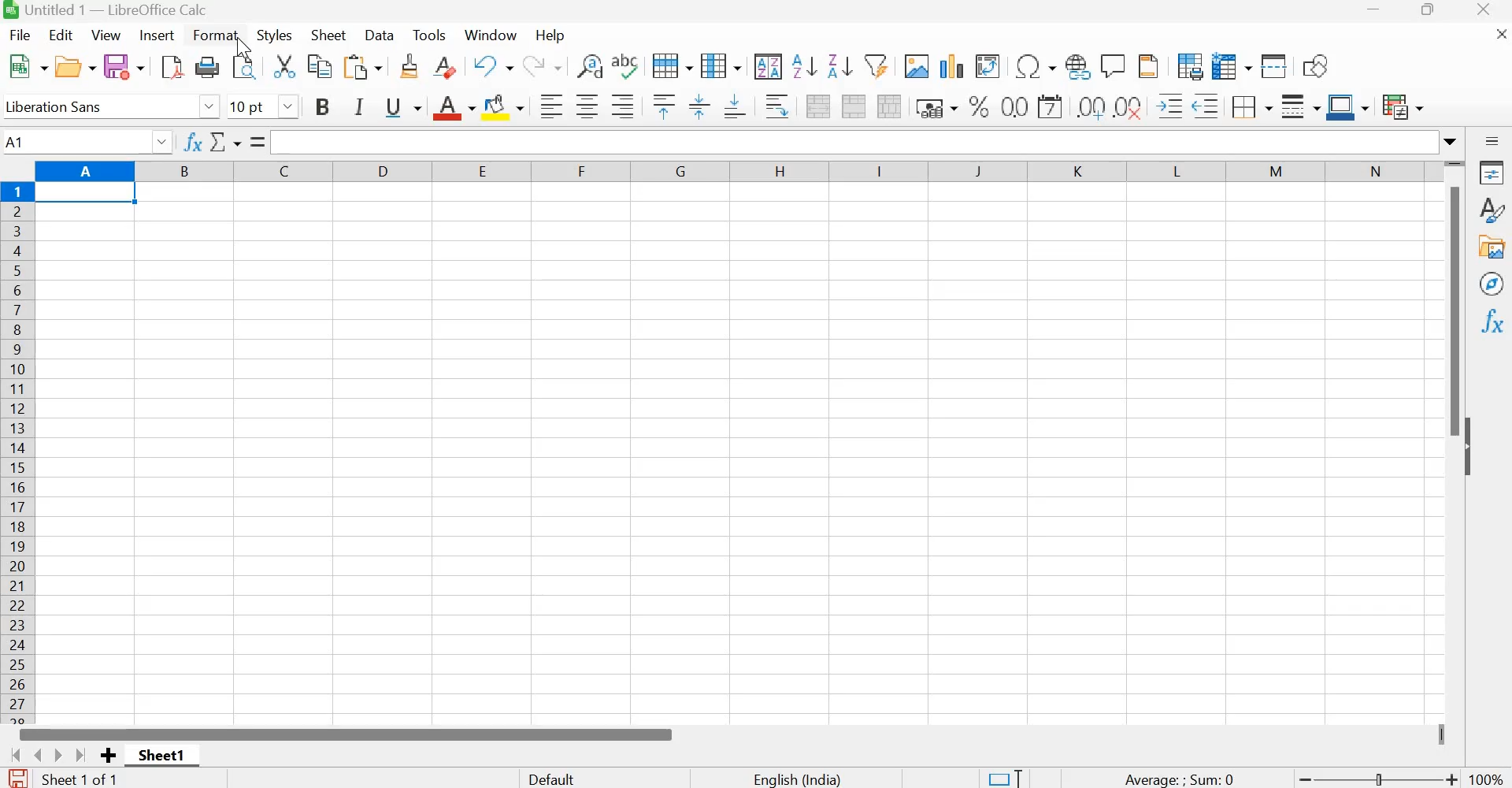 The image size is (1512, 788). Describe the element at coordinates (806, 66) in the screenshot. I see `Sort ascending` at that location.